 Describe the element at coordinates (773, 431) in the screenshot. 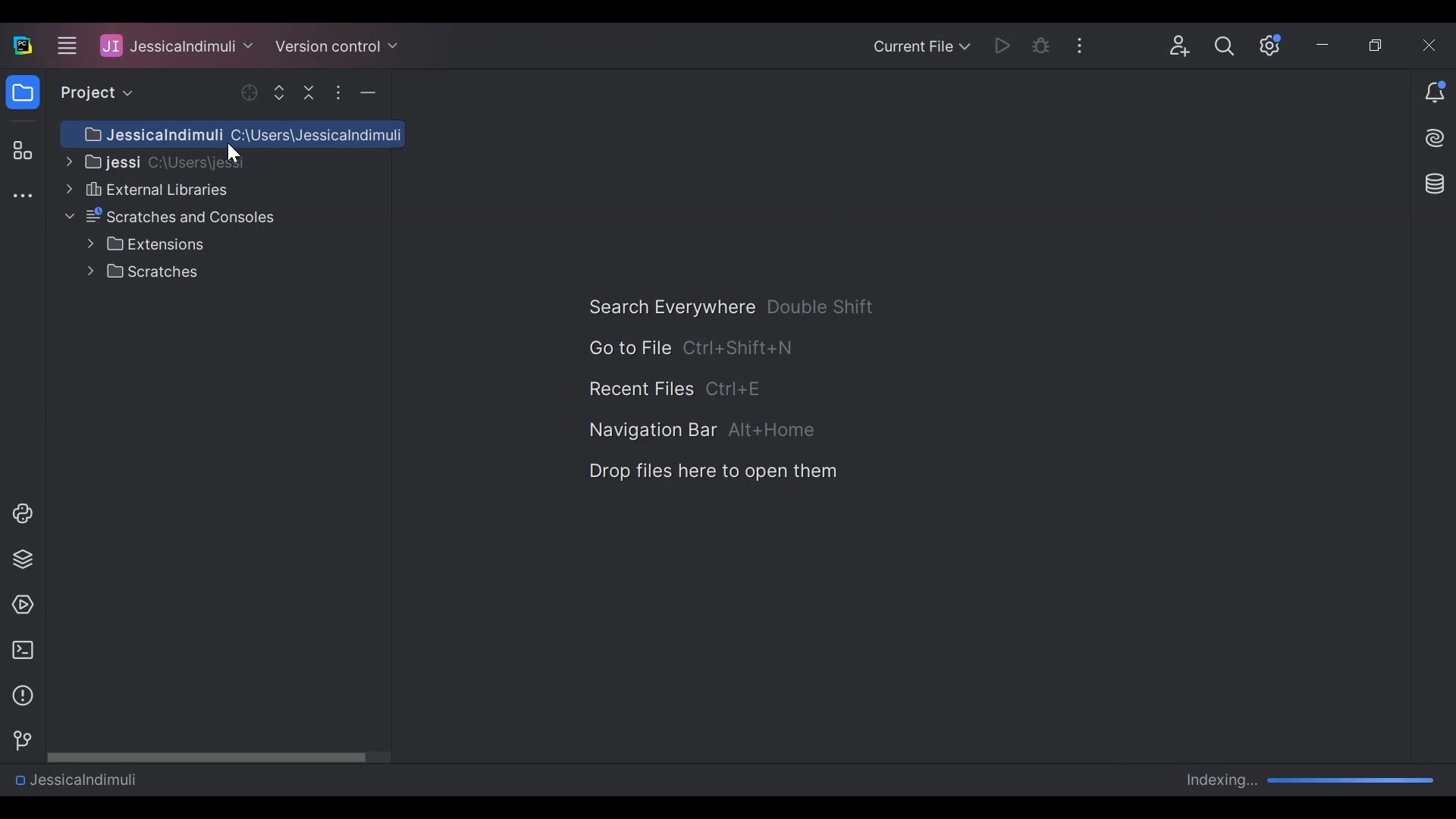

I see `shortcut` at that location.